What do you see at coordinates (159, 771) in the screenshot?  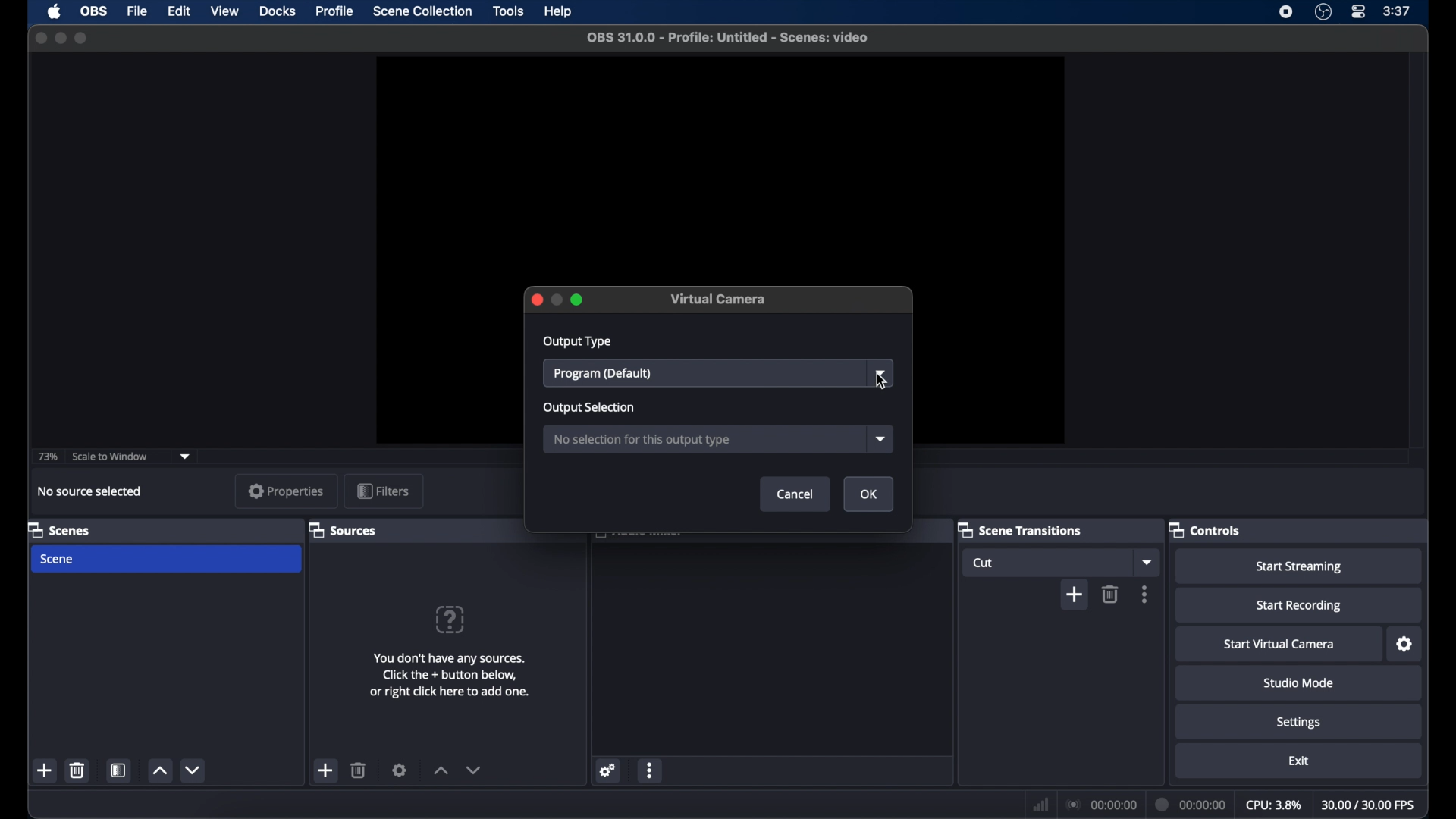 I see `increment` at bounding box center [159, 771].